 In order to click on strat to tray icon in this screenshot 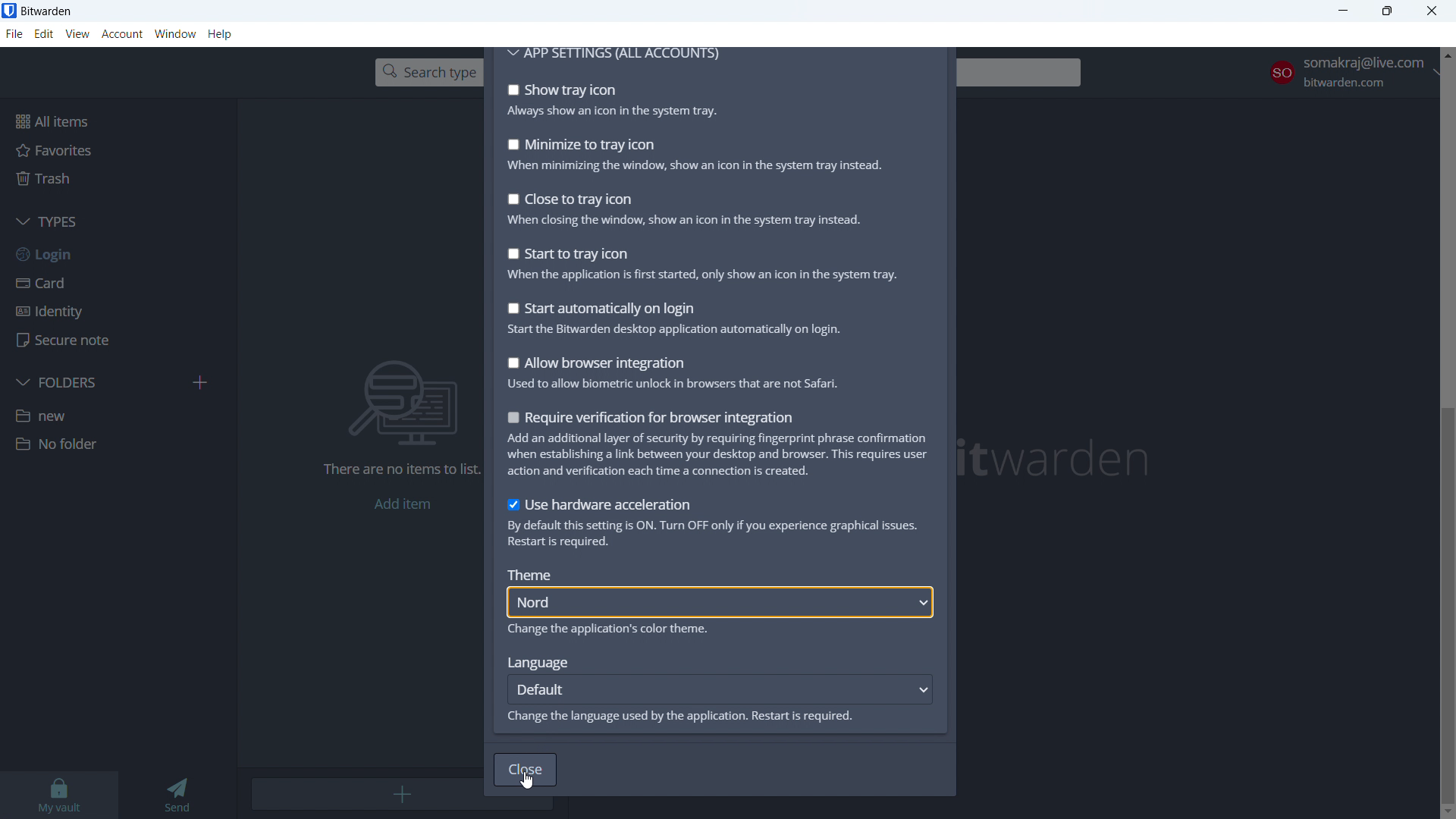, I will do `click(714, 262)`.